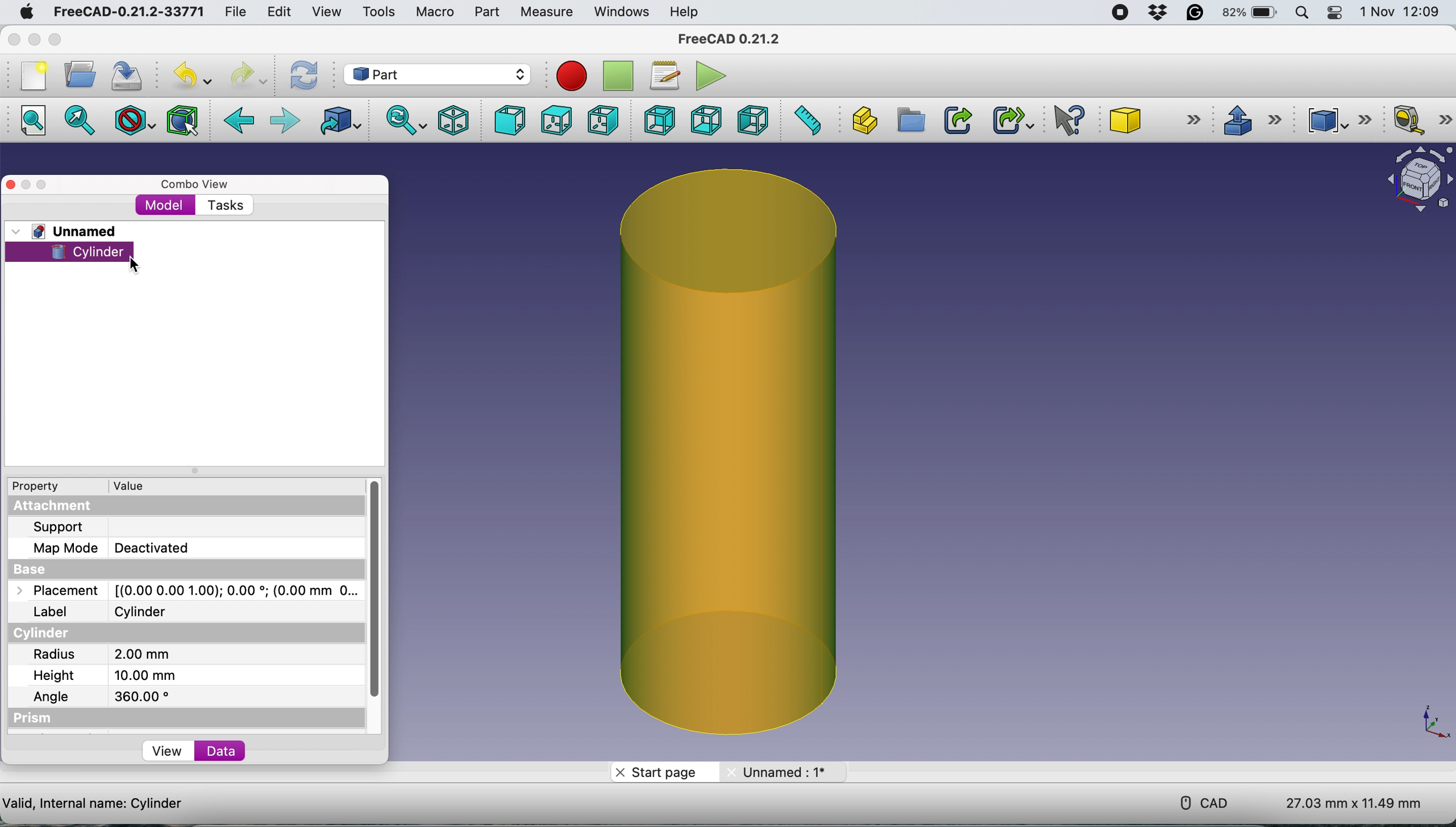 The height and width of the screenshot is (827, 1456). Describe the element at coordinates (403, 120) in the screenshot. I see `sync view` at that location.